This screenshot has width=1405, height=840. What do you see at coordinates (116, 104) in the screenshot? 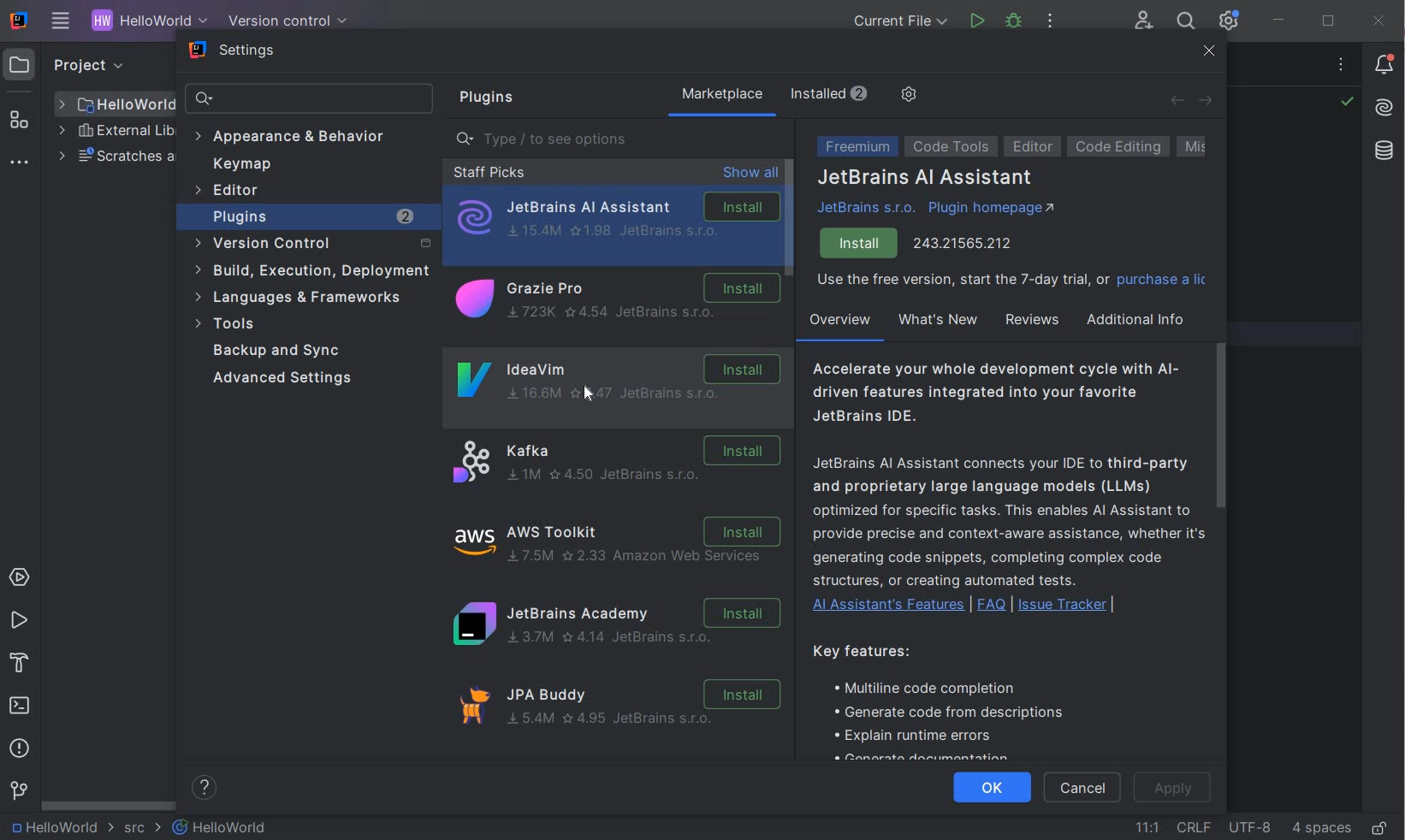
I see `FILE NAME` at bounding box center [116, 104].